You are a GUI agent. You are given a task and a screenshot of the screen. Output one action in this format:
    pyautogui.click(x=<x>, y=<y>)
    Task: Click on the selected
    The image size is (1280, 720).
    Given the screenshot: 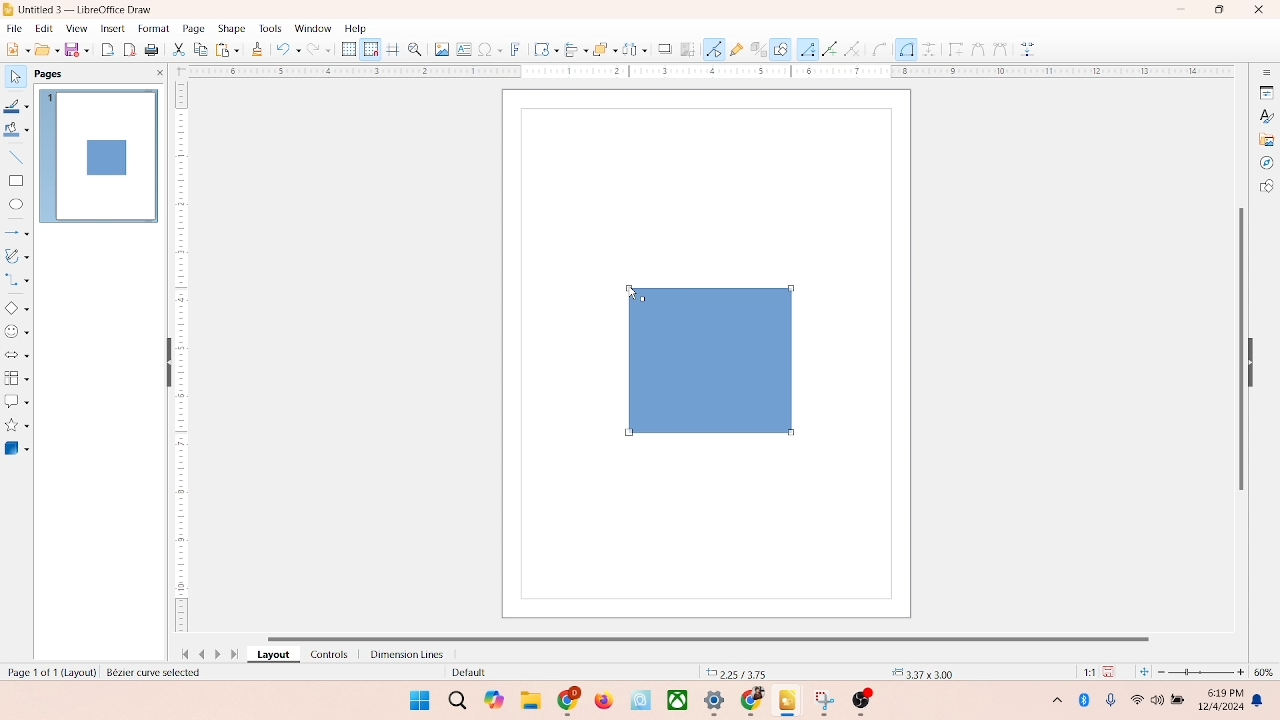 What is the action you would take?
    pyautogui.click(x=157, y=673)
    